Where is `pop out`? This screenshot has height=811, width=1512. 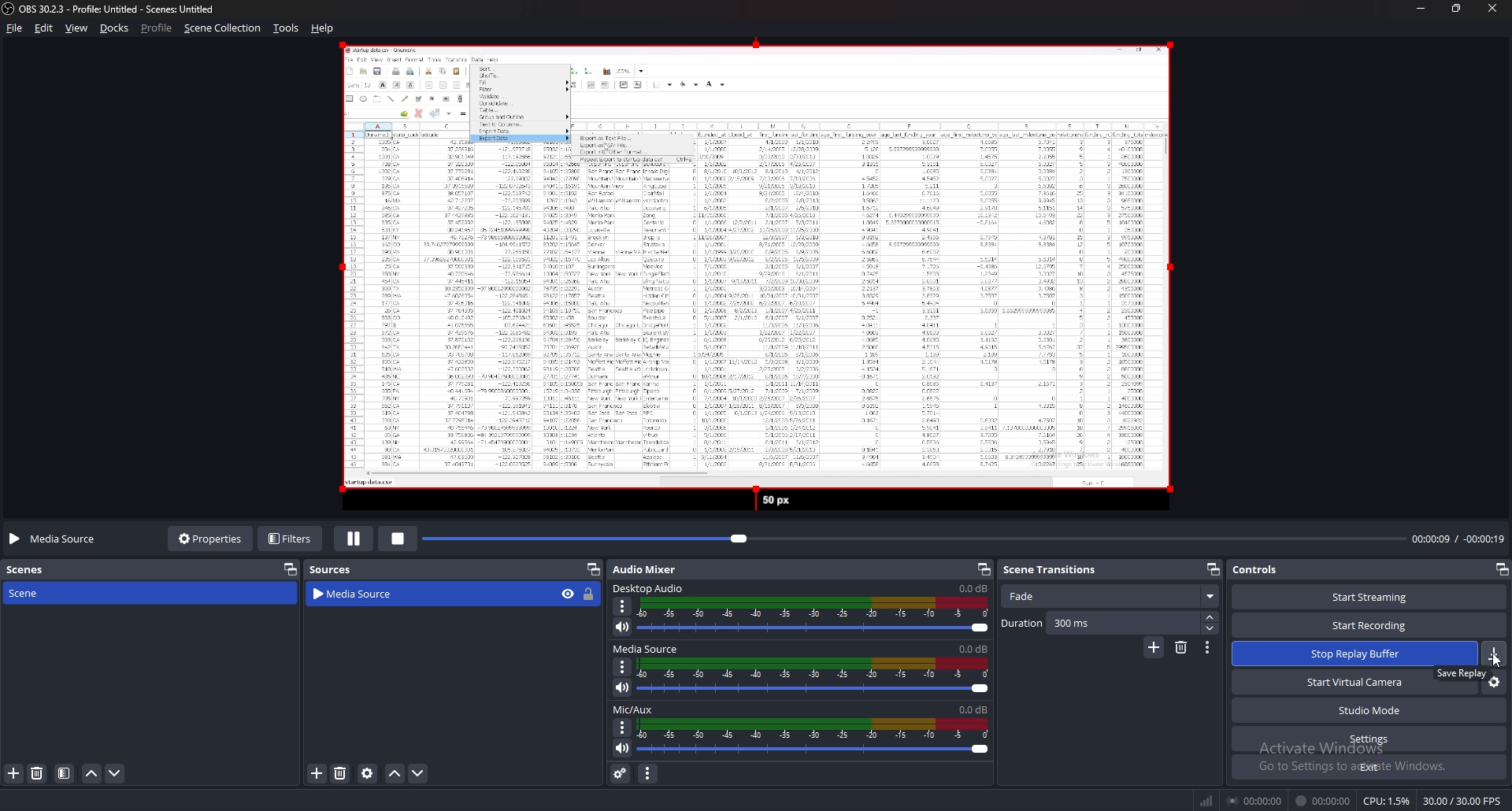 pop out is located at coordinates (291, 569).